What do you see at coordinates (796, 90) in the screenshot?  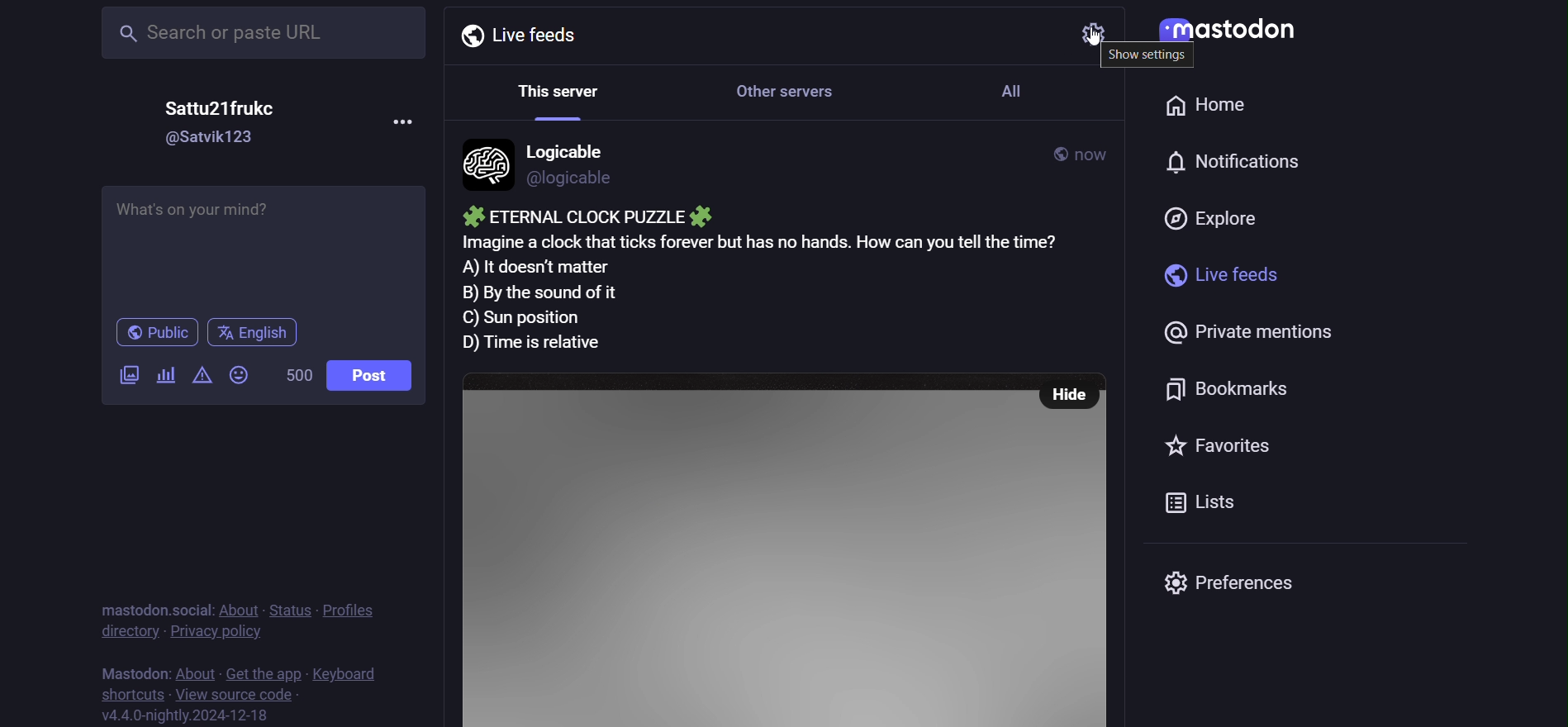 I see `other servers` at bounding box center [796, 90].